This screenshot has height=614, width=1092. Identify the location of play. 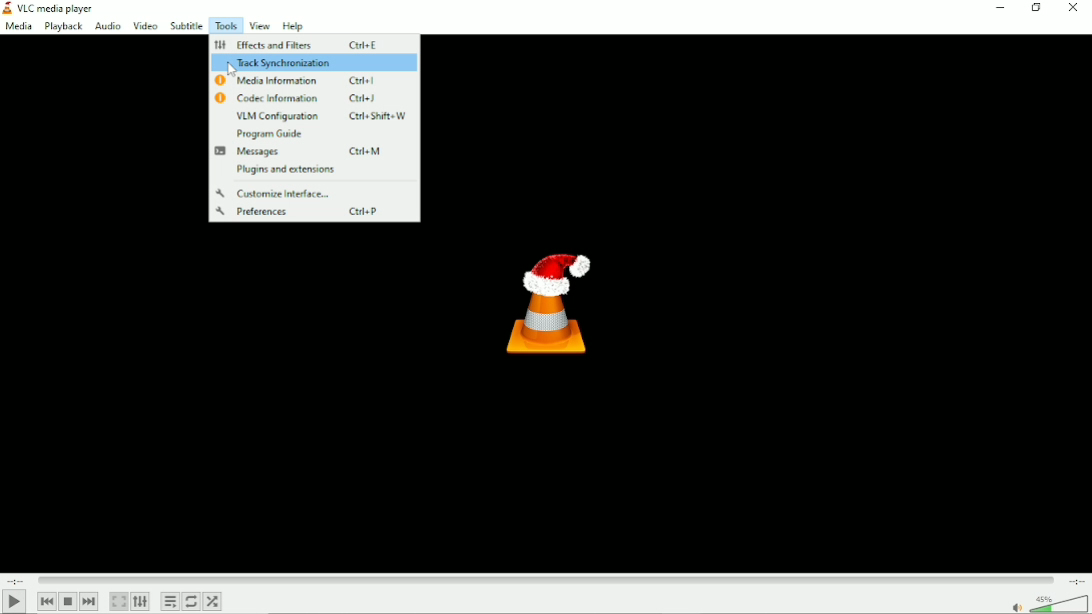
(14, 602).